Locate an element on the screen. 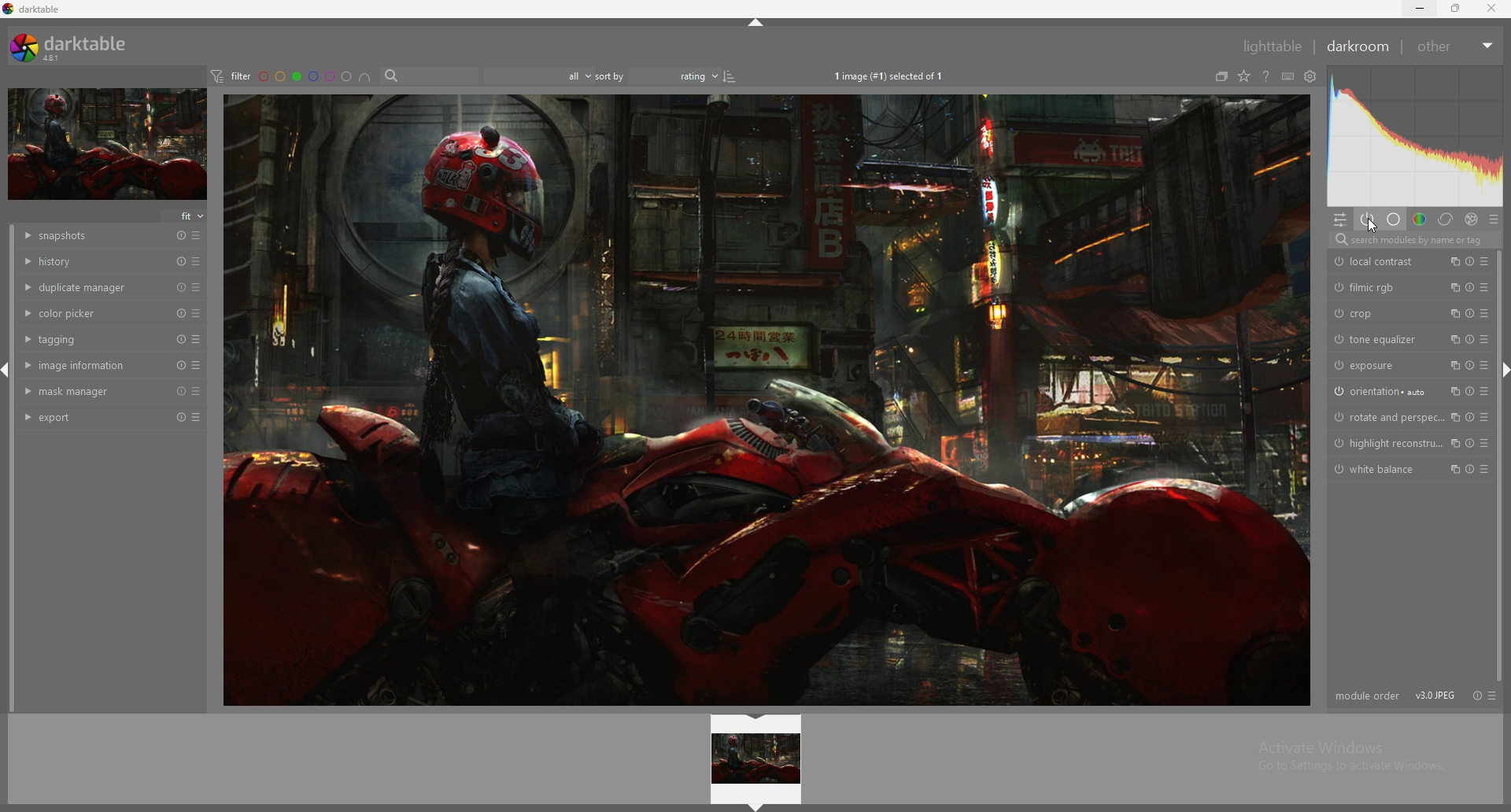 This screenshot has height=812, width=1511. reset is located at coordinates (1477, 696).